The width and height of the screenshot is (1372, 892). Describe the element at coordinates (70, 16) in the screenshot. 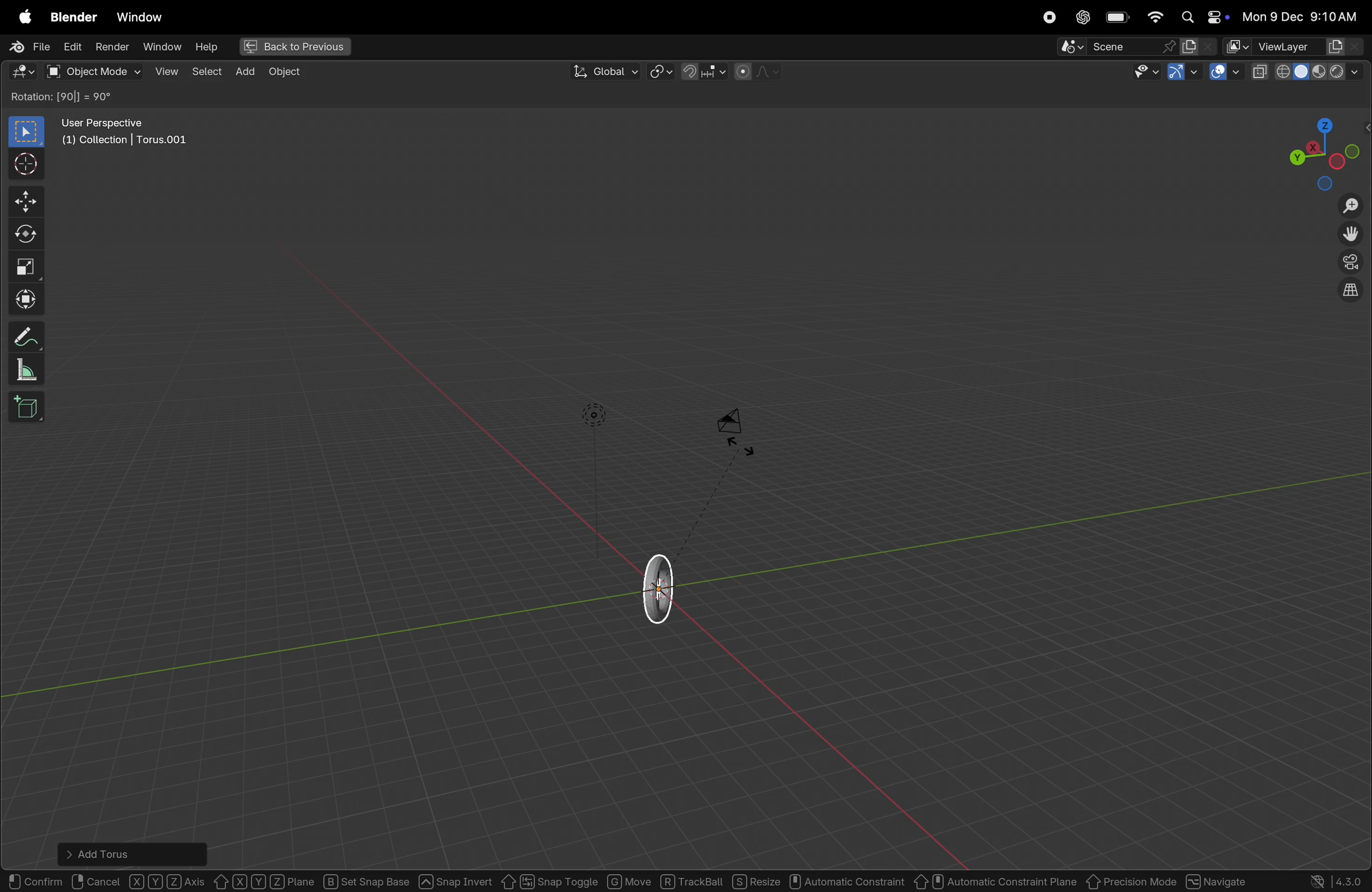

I see `Blender` at that location.